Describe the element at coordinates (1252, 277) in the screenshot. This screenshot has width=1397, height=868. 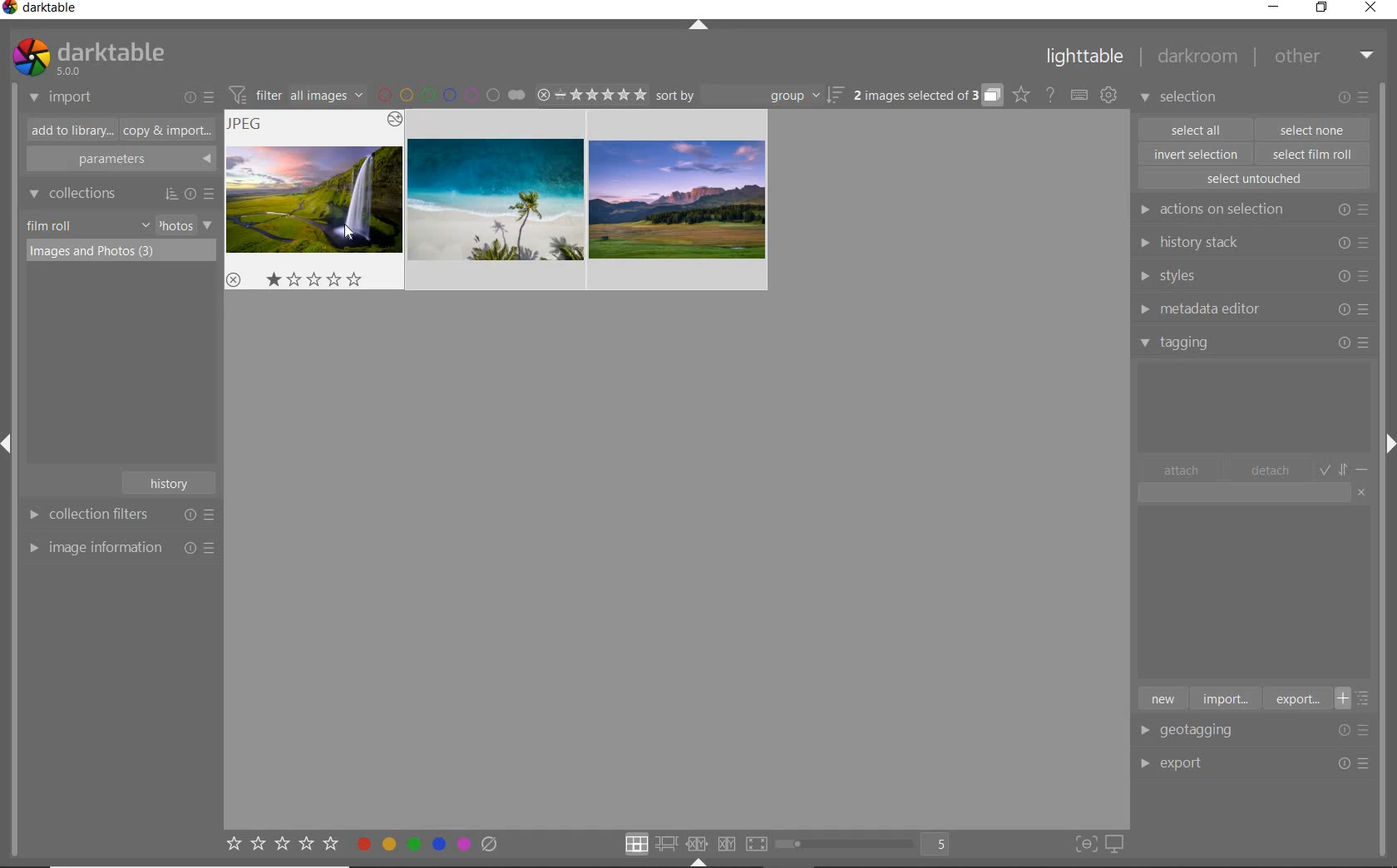
I see `styles` at that location.